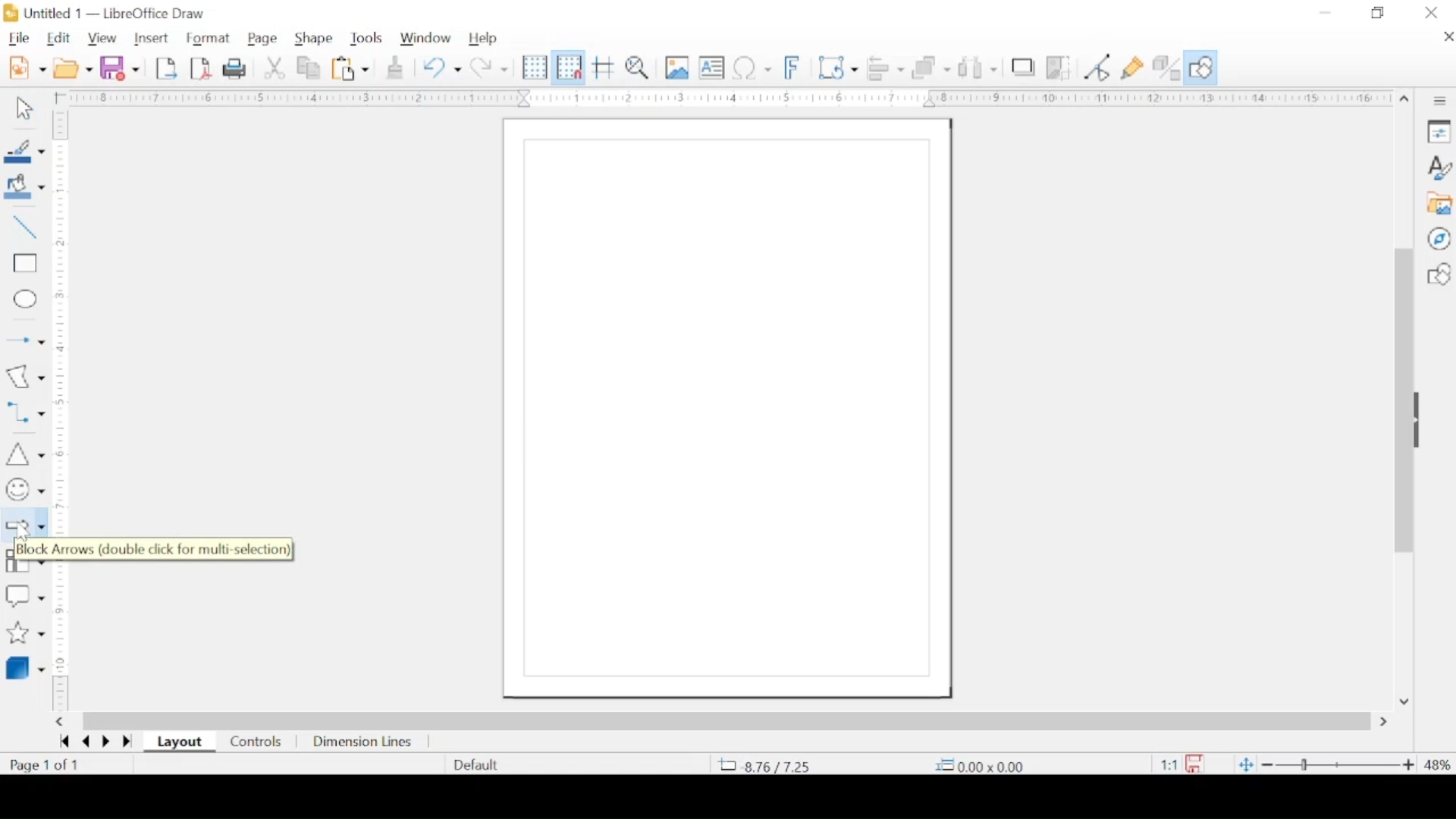 Image resolution: width=1456 pixels, height=819 pixels. Describe the element at coordinates (263, 39) in the screenshot. I see `page` at that location.